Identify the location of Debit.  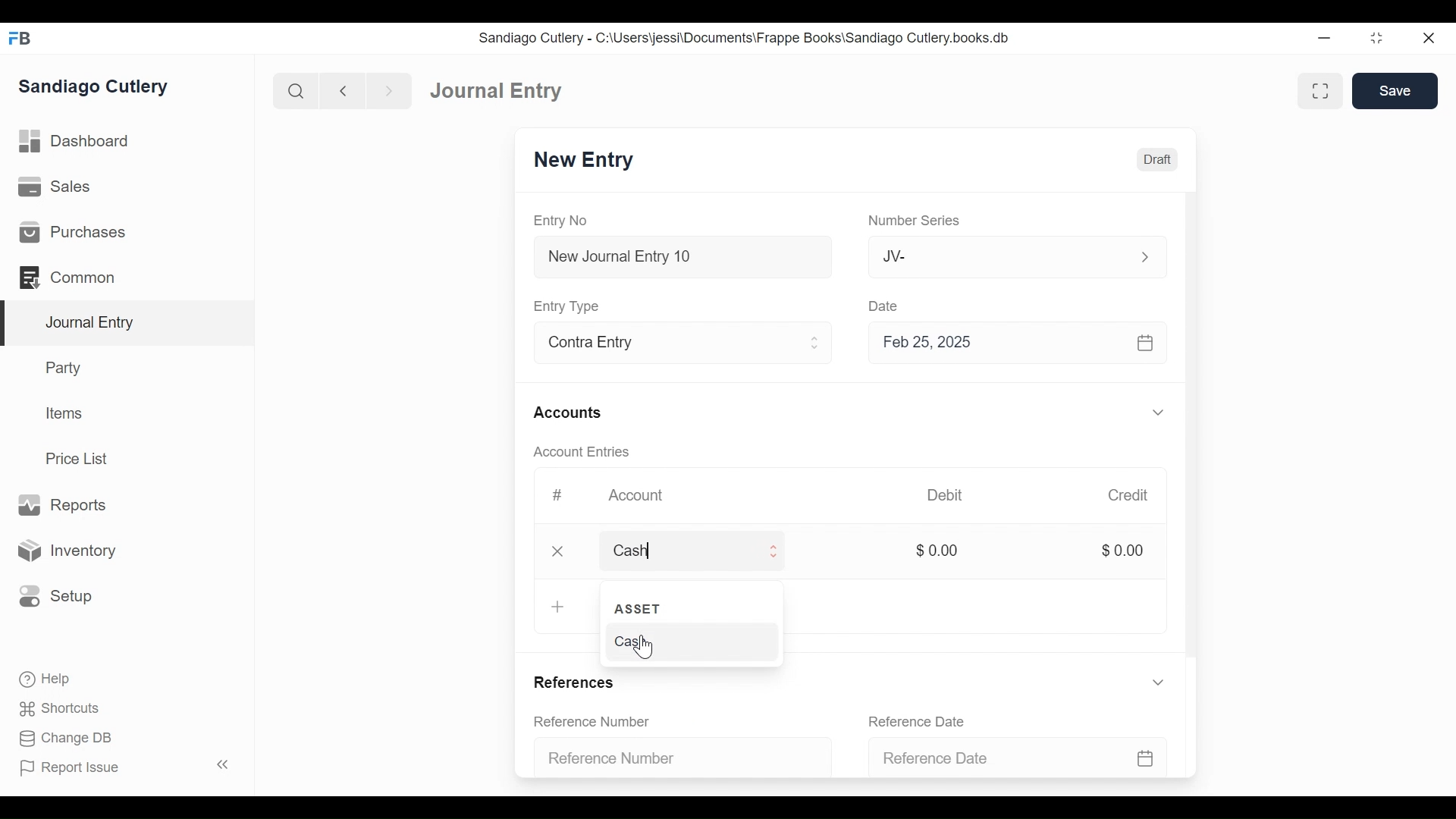
(951, 495).